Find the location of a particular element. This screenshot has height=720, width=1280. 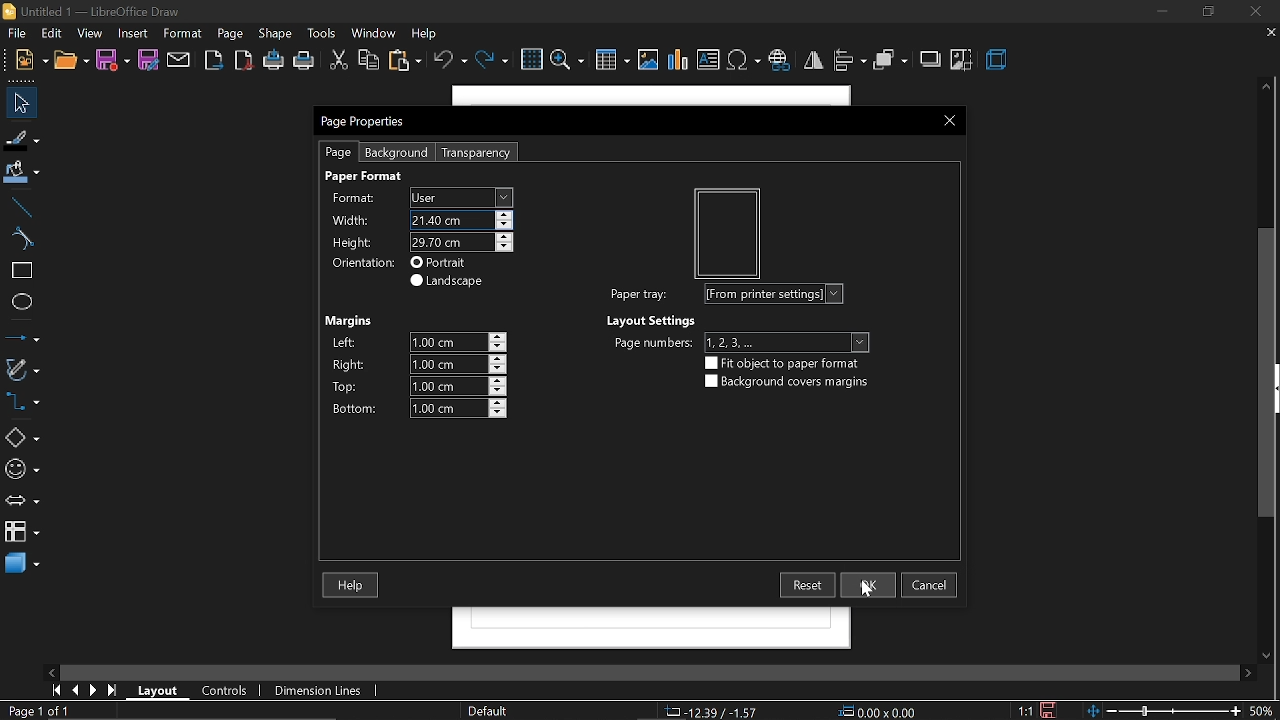

align is located at coordinates (850, 60).